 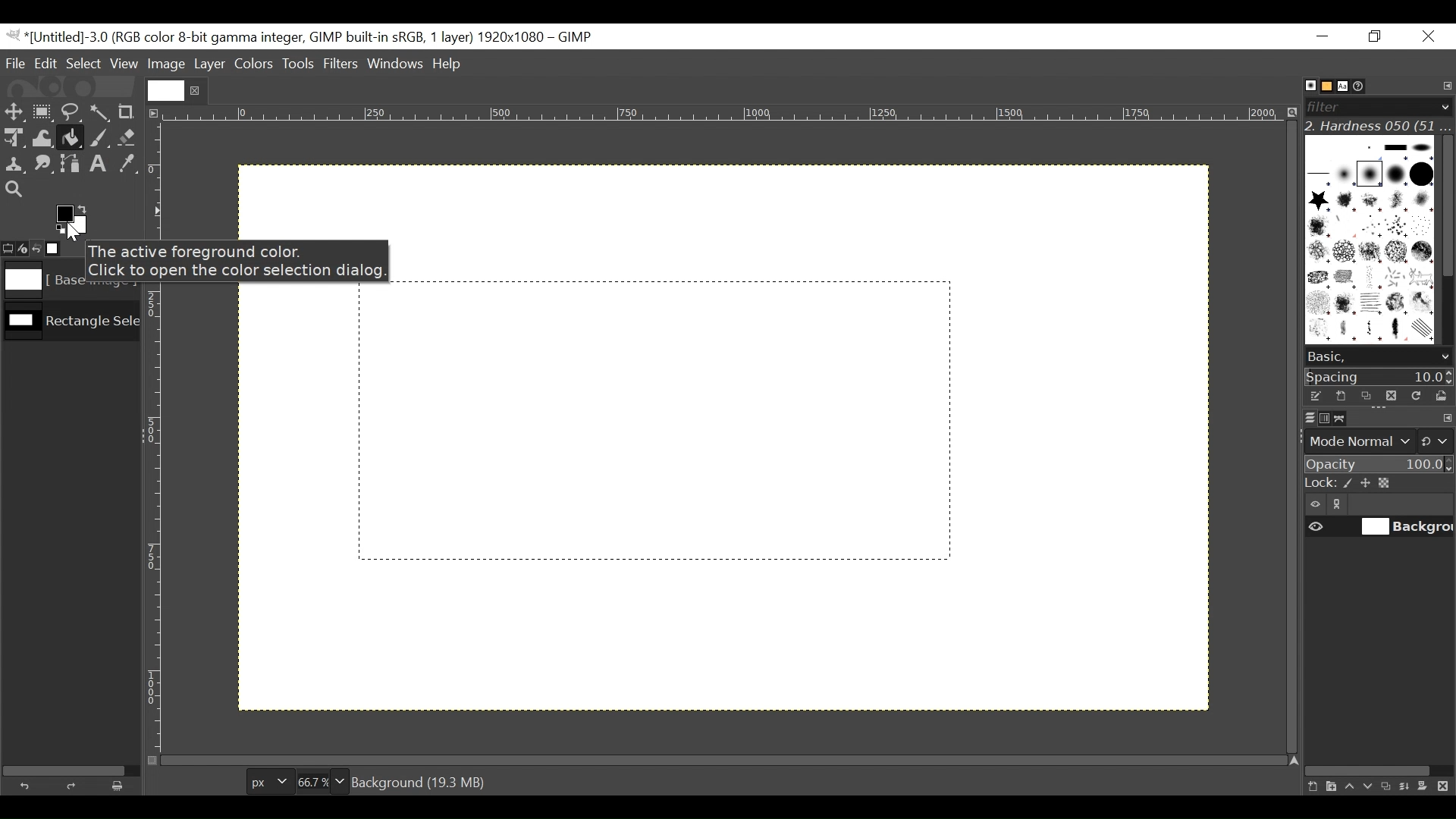 I want to click on cursor, so click(x=43, y=122).